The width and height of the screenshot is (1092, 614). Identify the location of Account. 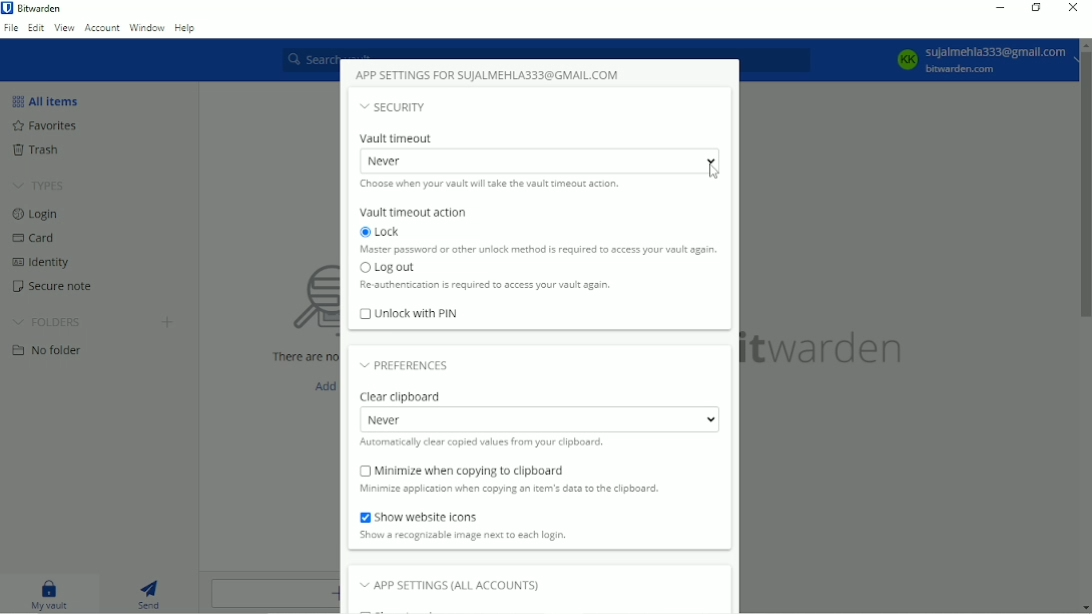
(103, 28).